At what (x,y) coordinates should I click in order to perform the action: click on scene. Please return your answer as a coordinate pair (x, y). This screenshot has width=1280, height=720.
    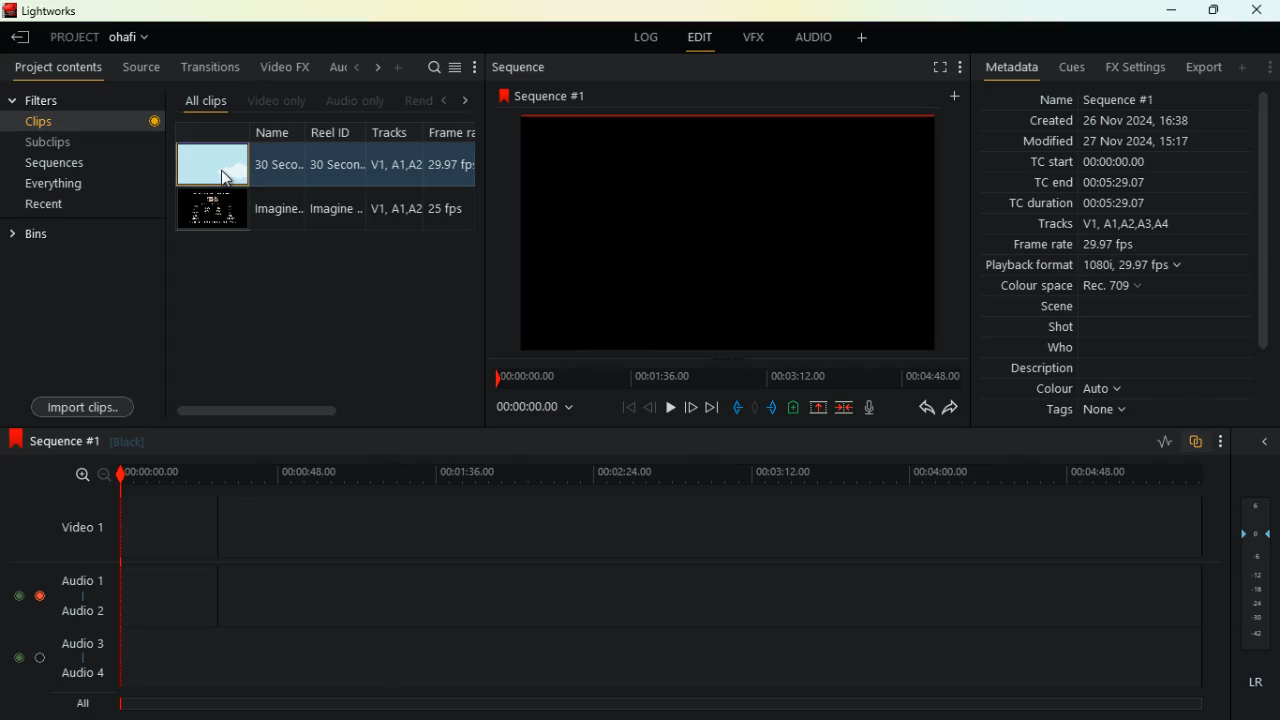
    Looking at the image, I should click on (1035, 309).